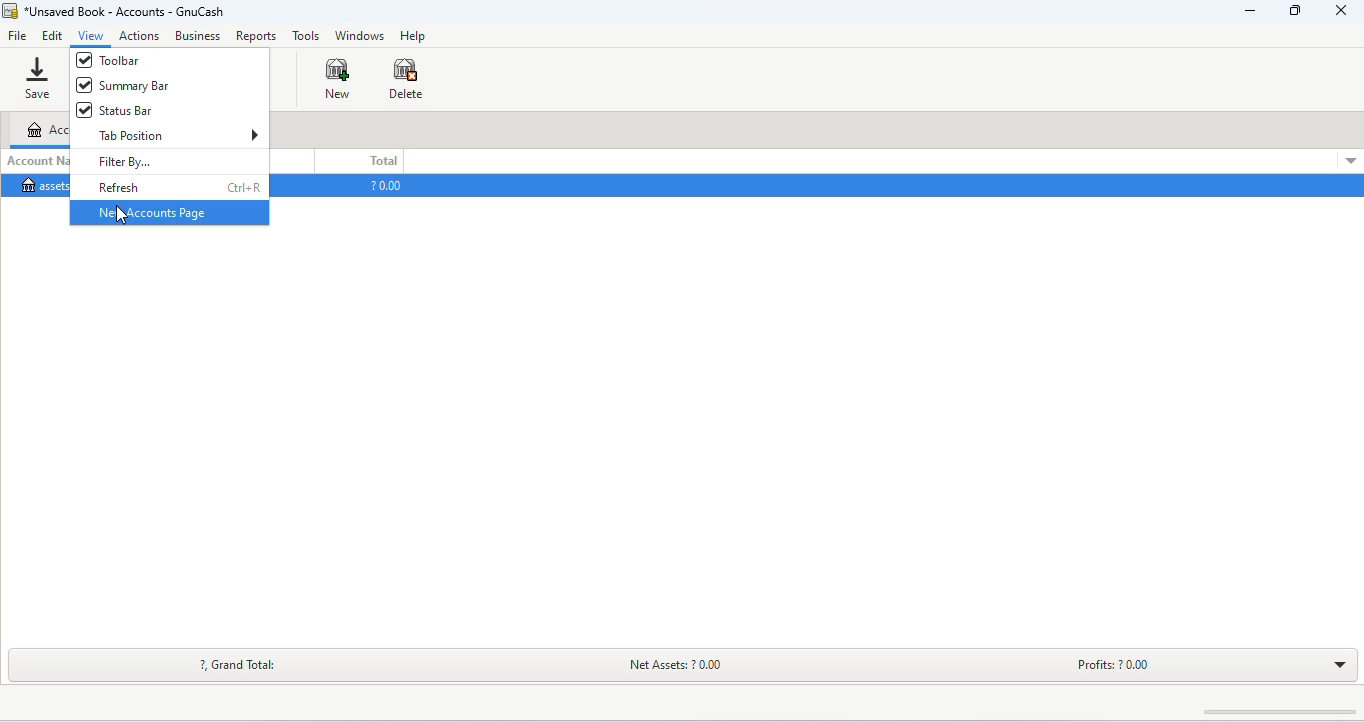 This screenshot has height=722, width=1364. What do you see at coordinates (339, 78) in the screenshot?
I see `new` at bounding box center [339, 78].